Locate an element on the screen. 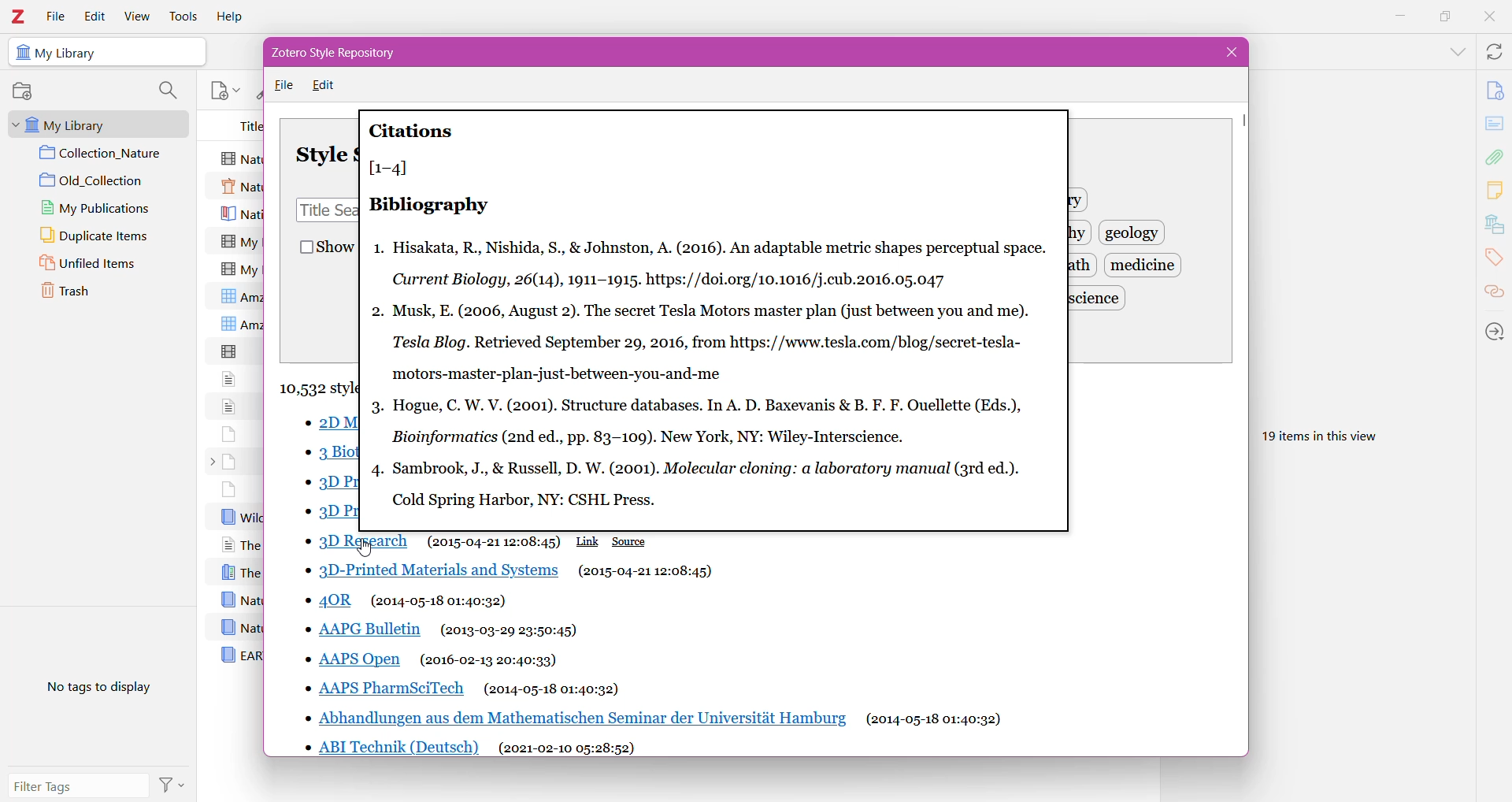  List all Tabs is located at coordinates (1455, 50).